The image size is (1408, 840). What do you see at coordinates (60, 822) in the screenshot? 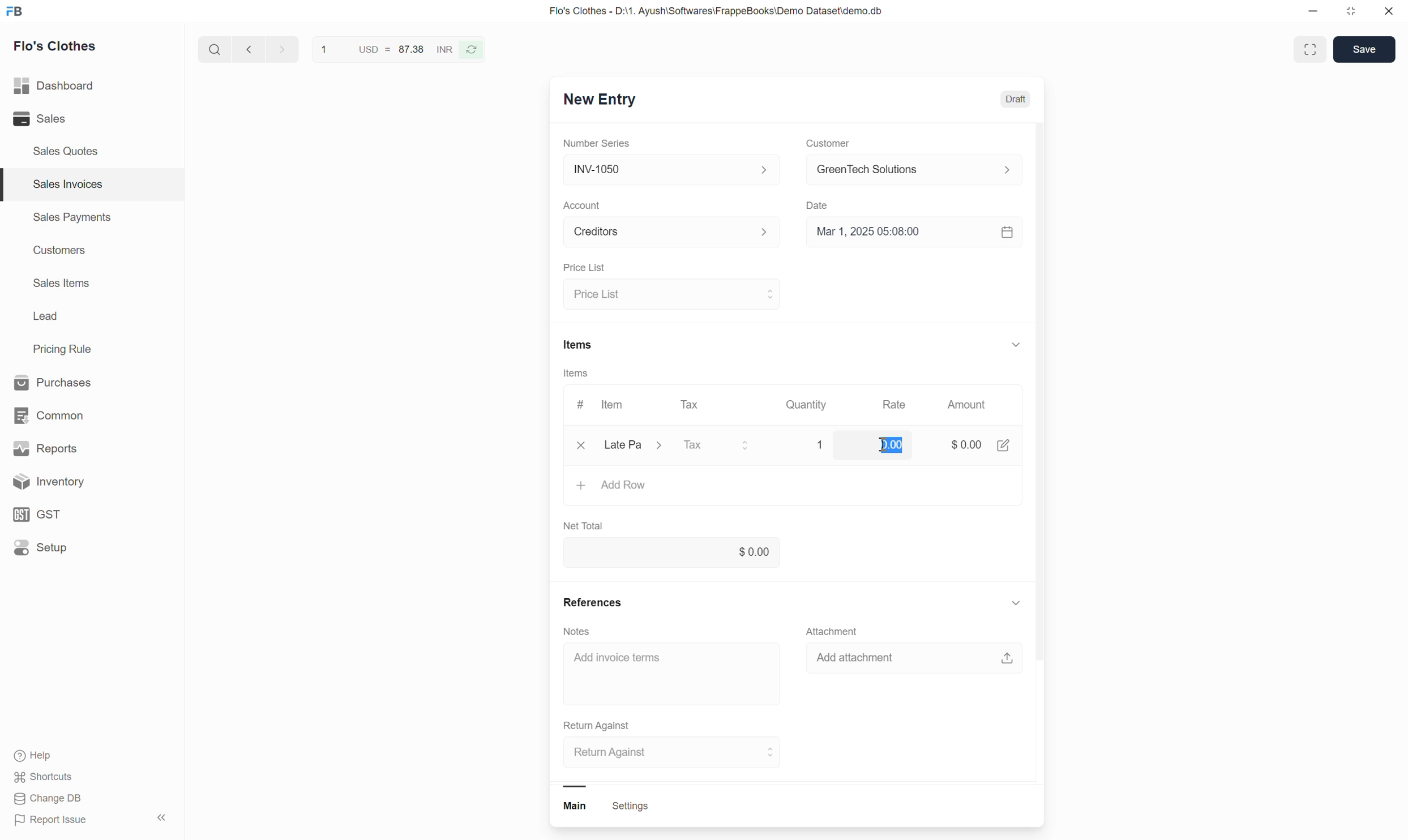
I see `Report Issue ` at bounding box center [60, 822].